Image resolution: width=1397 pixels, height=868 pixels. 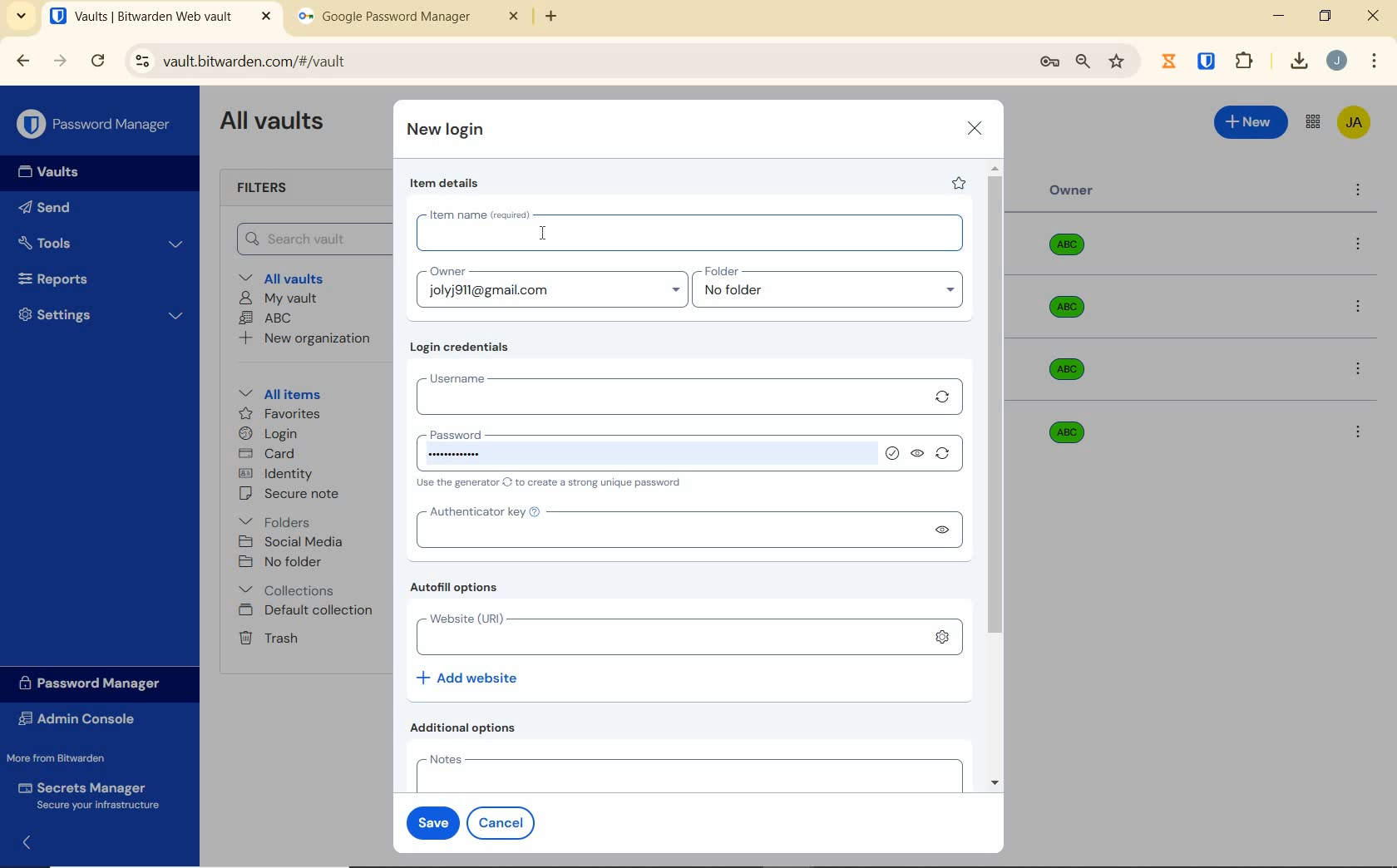 What do you see at coordinates (1073, 369) in the screenshot?
I see `Owner organization` at bounding box center [1073, 369].